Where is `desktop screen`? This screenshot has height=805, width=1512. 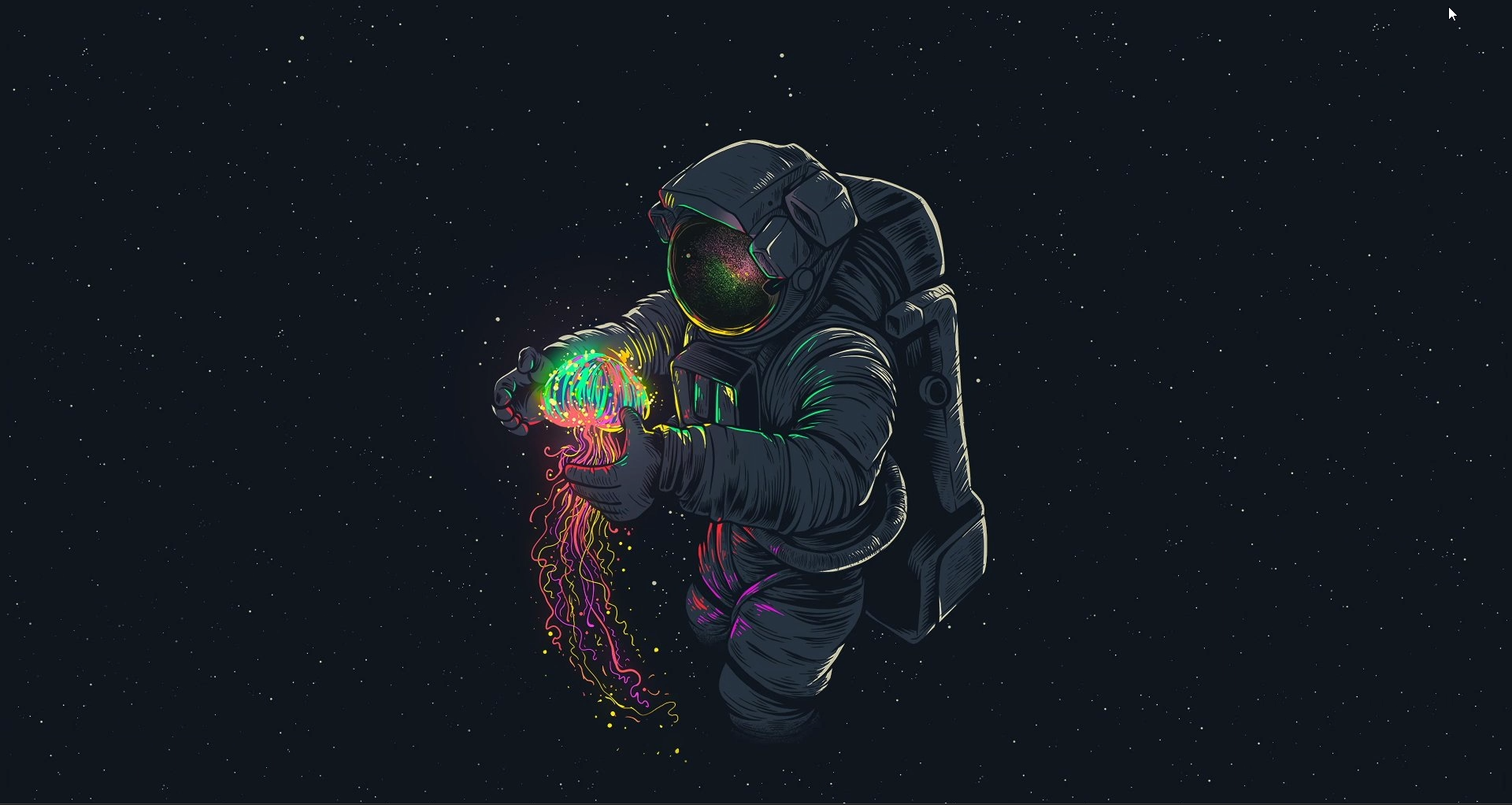
desktop screen is located at coordinates (754, 407).